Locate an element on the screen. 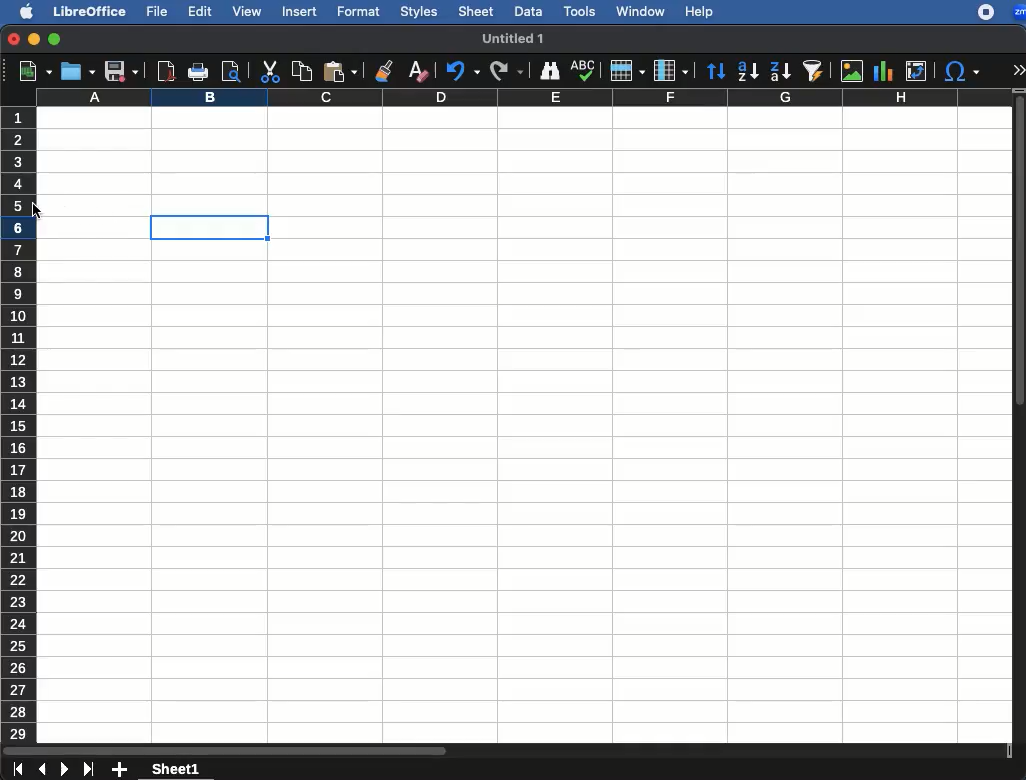 Image resolution: width=1026 pixels, height=780 pixels. cursor is located at coordinates (40, 212).